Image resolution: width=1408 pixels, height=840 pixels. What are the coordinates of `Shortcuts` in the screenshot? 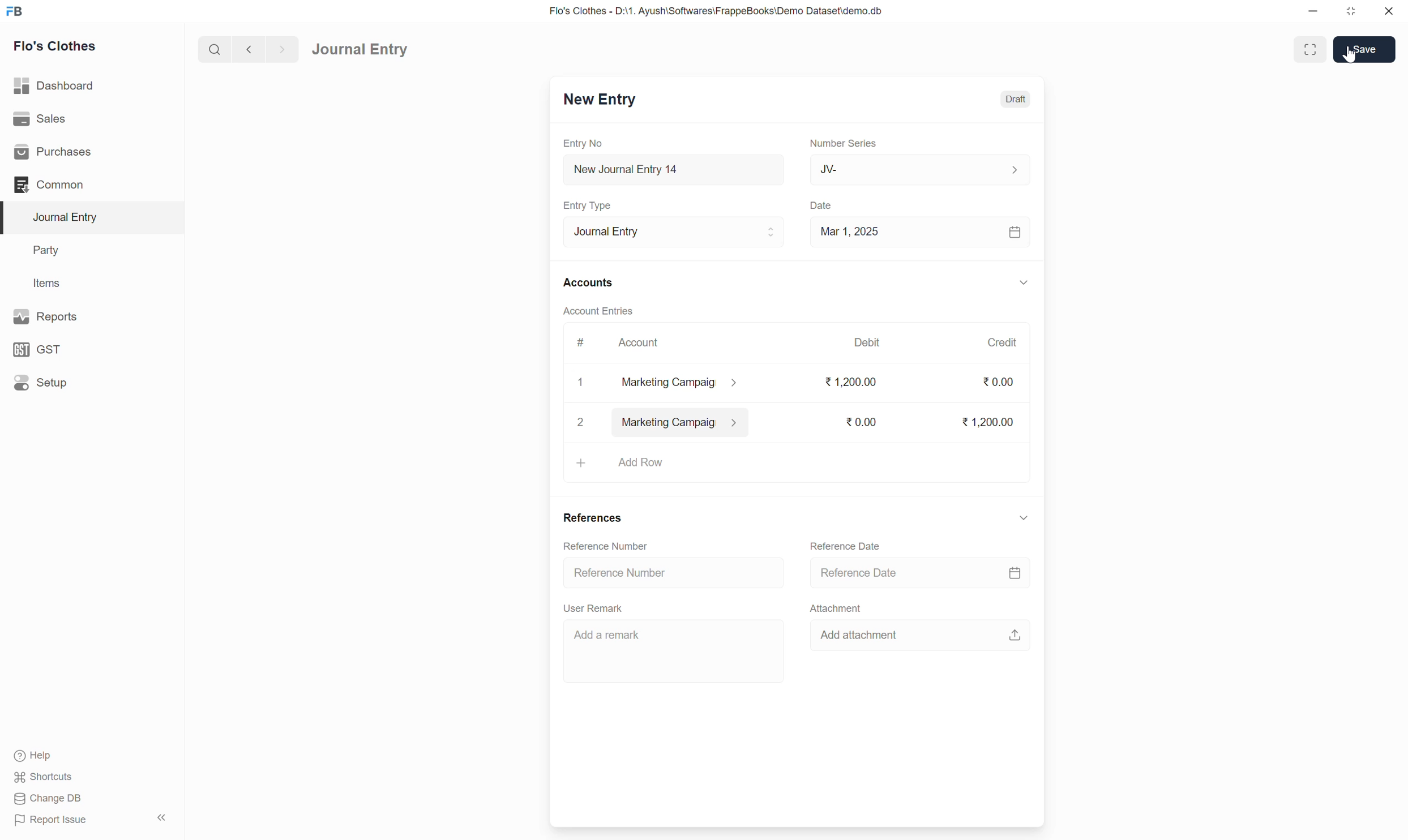 It's located at (48, 777).